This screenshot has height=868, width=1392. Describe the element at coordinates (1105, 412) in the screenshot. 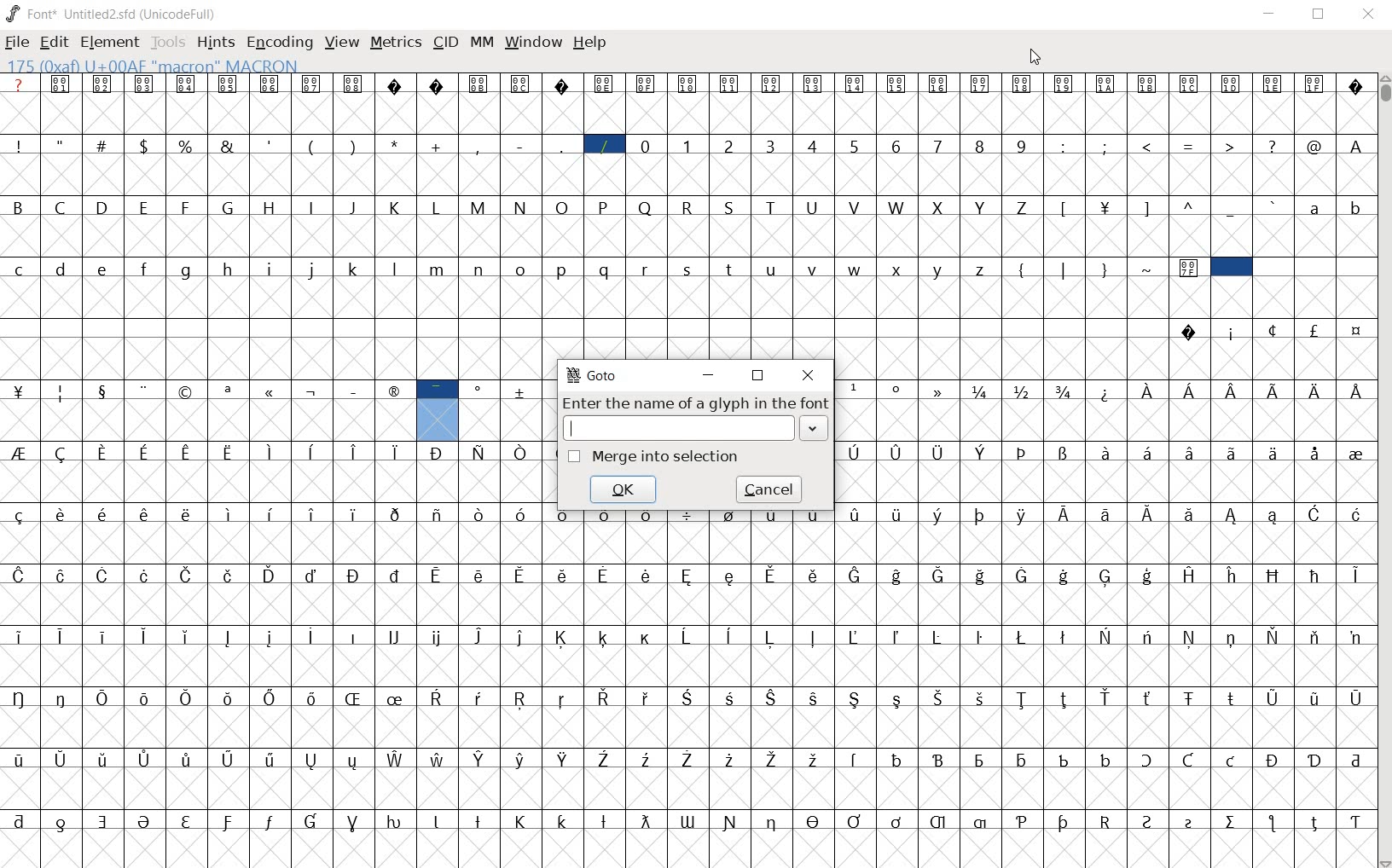

I see `` at that location.